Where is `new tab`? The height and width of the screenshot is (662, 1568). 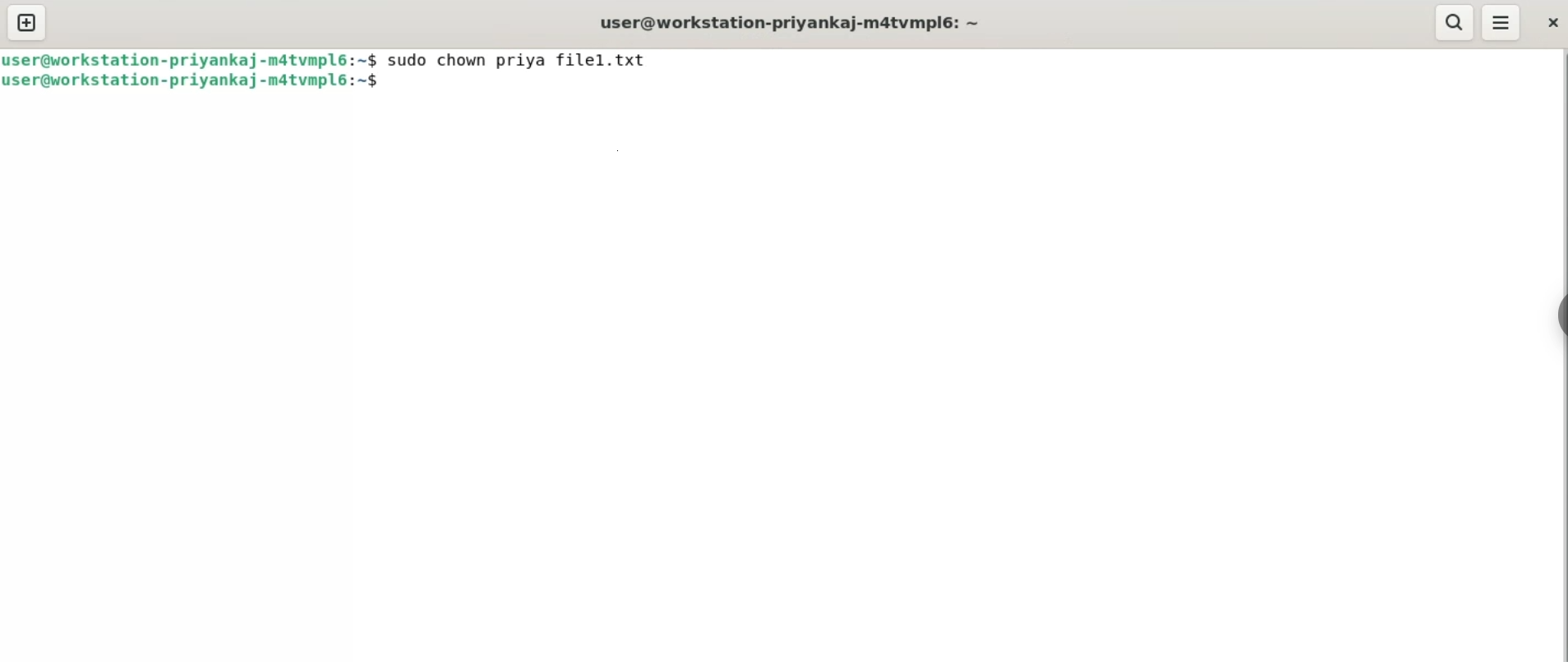 new tab is located at coordinates (29, 23).